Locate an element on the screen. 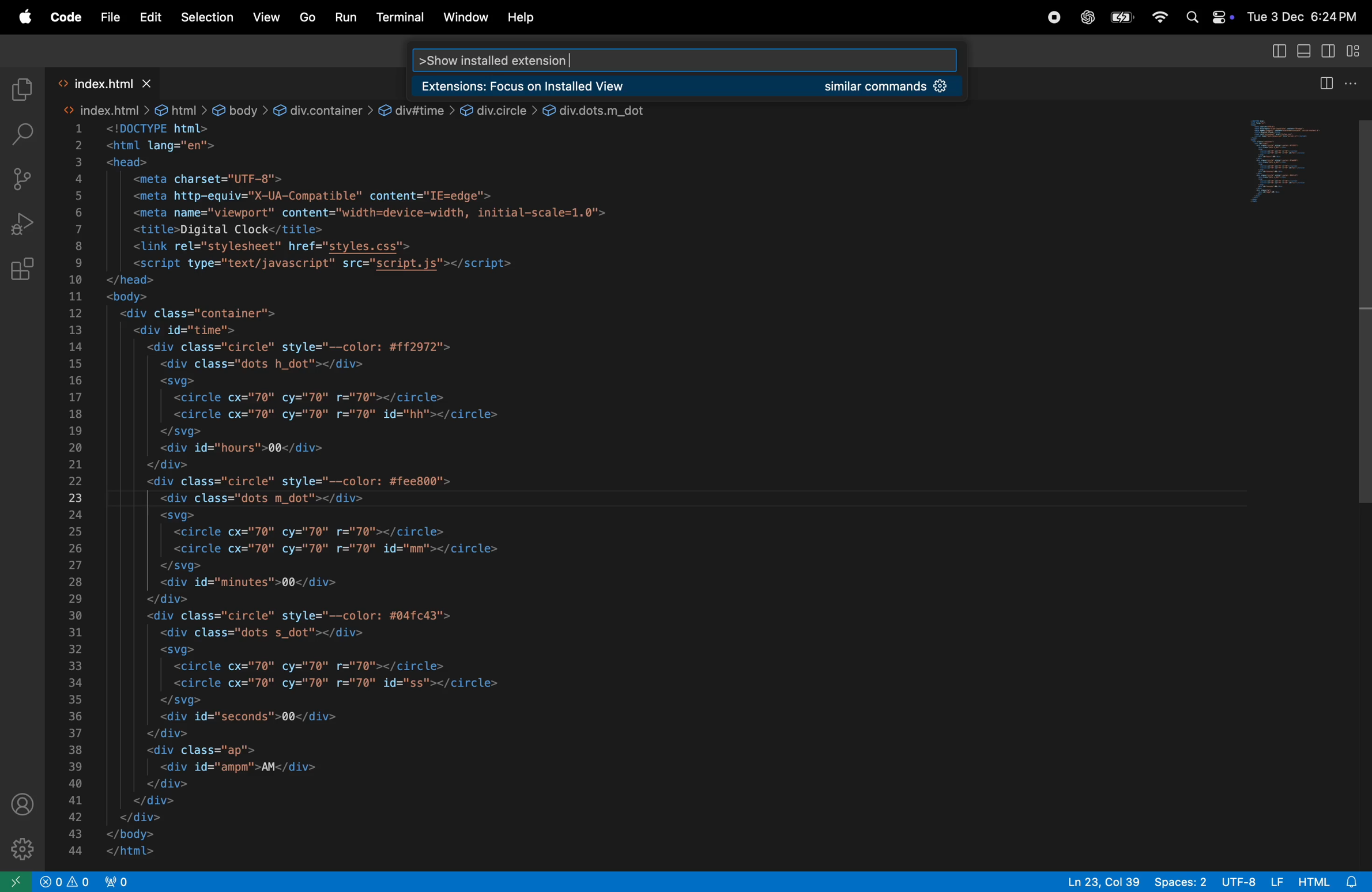  File is located at coordinates (107, 14).